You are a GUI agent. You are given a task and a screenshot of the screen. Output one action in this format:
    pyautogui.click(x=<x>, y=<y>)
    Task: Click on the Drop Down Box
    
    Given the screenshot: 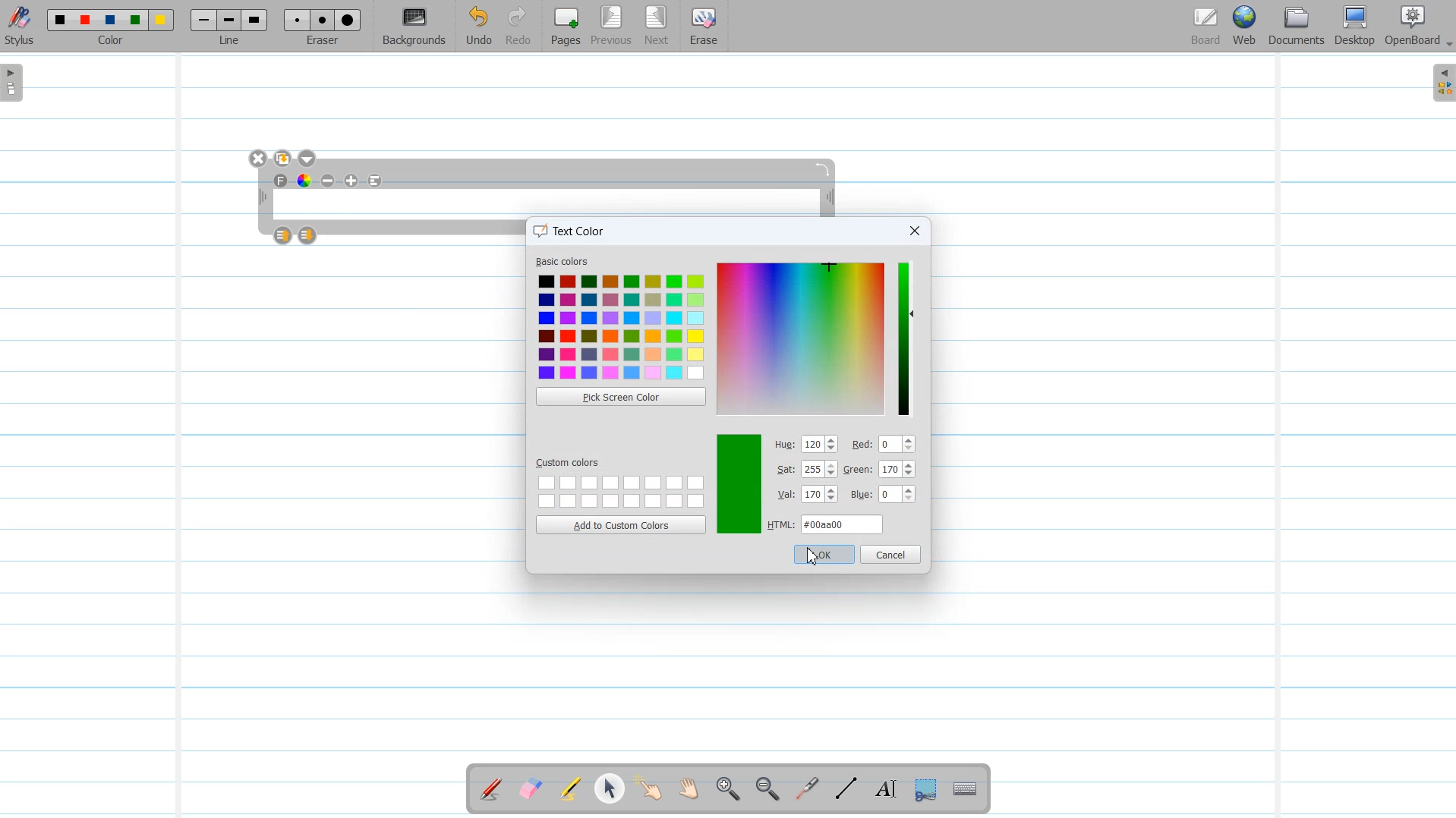 What is the action you would take?
    pyautogui.click(x=1447, y=45)
    